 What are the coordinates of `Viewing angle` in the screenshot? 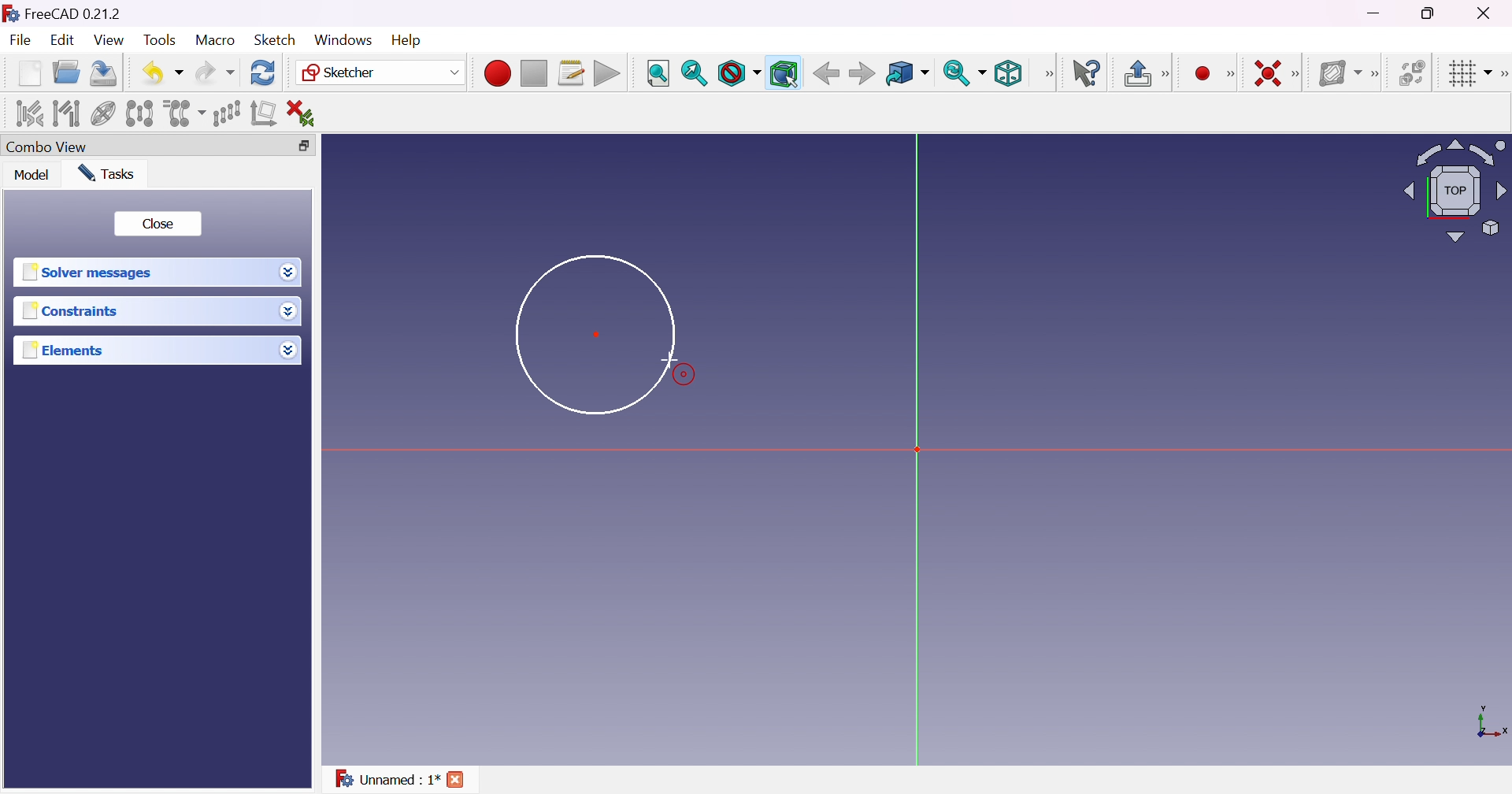 It's located at (1455, 190).